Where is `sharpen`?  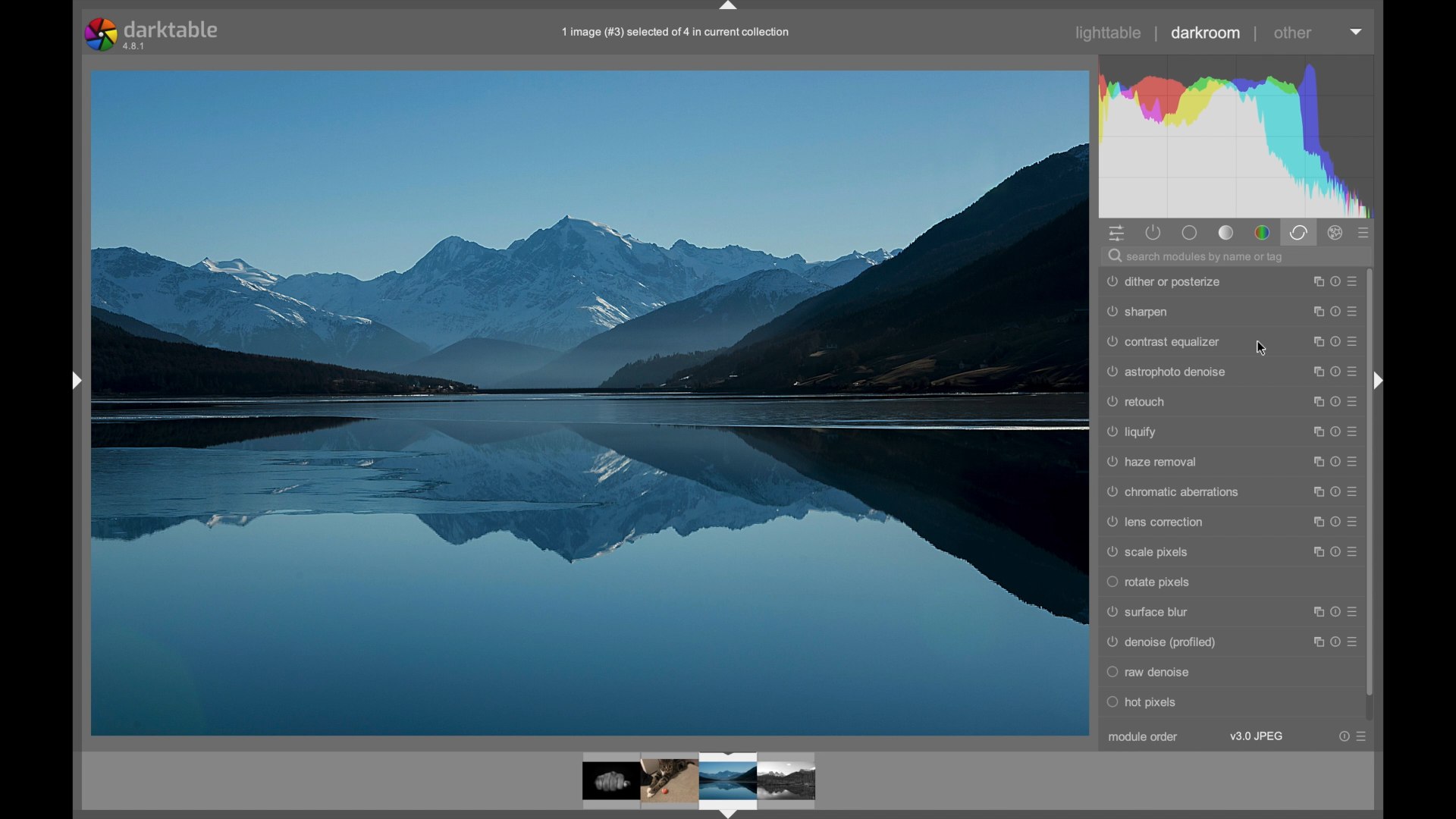 sharpen is located at coordinates (1138, 313).